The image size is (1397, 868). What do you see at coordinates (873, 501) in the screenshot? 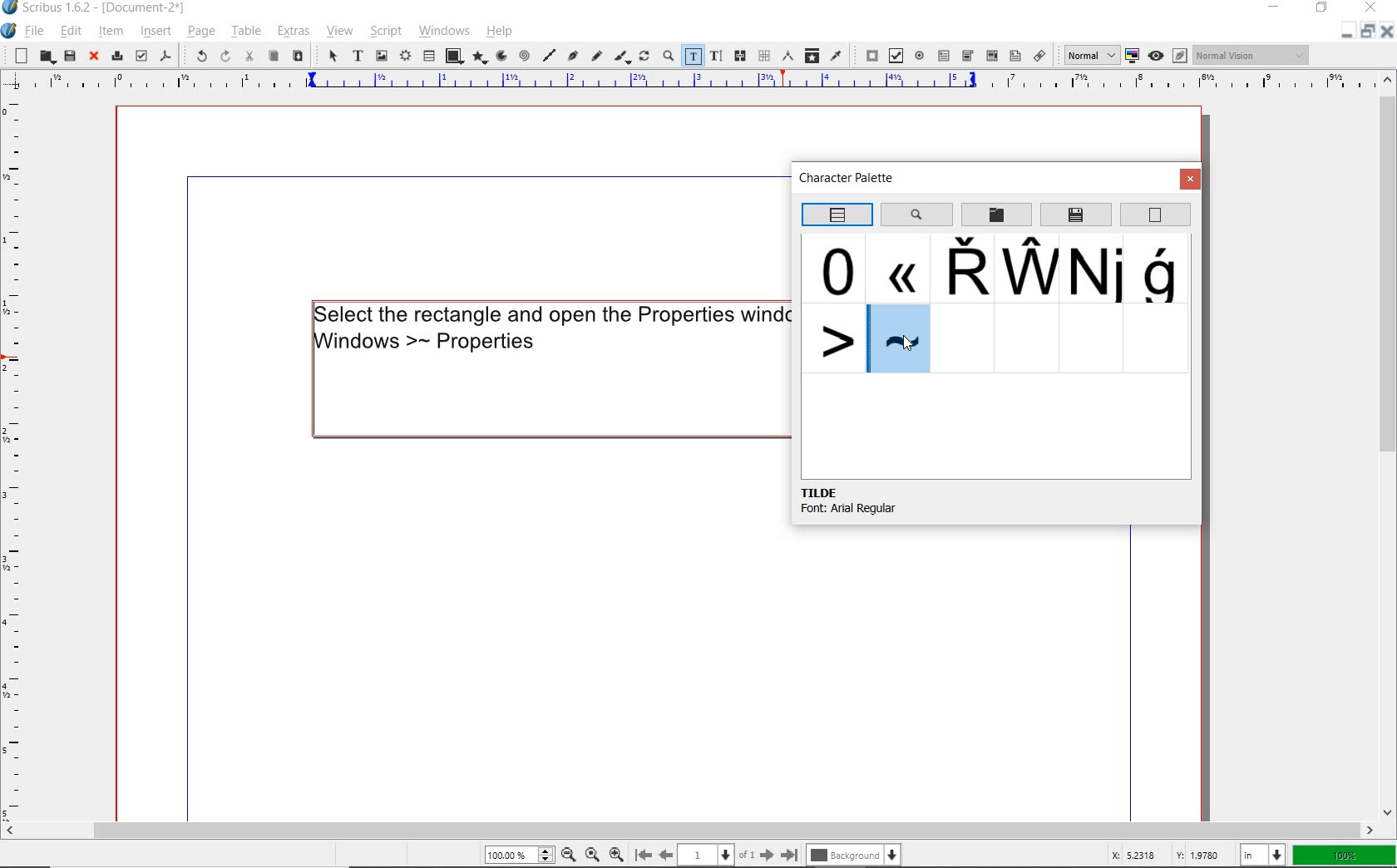
I see `TILDE. Font: Arial Regular` at bounding box center [873, 501].